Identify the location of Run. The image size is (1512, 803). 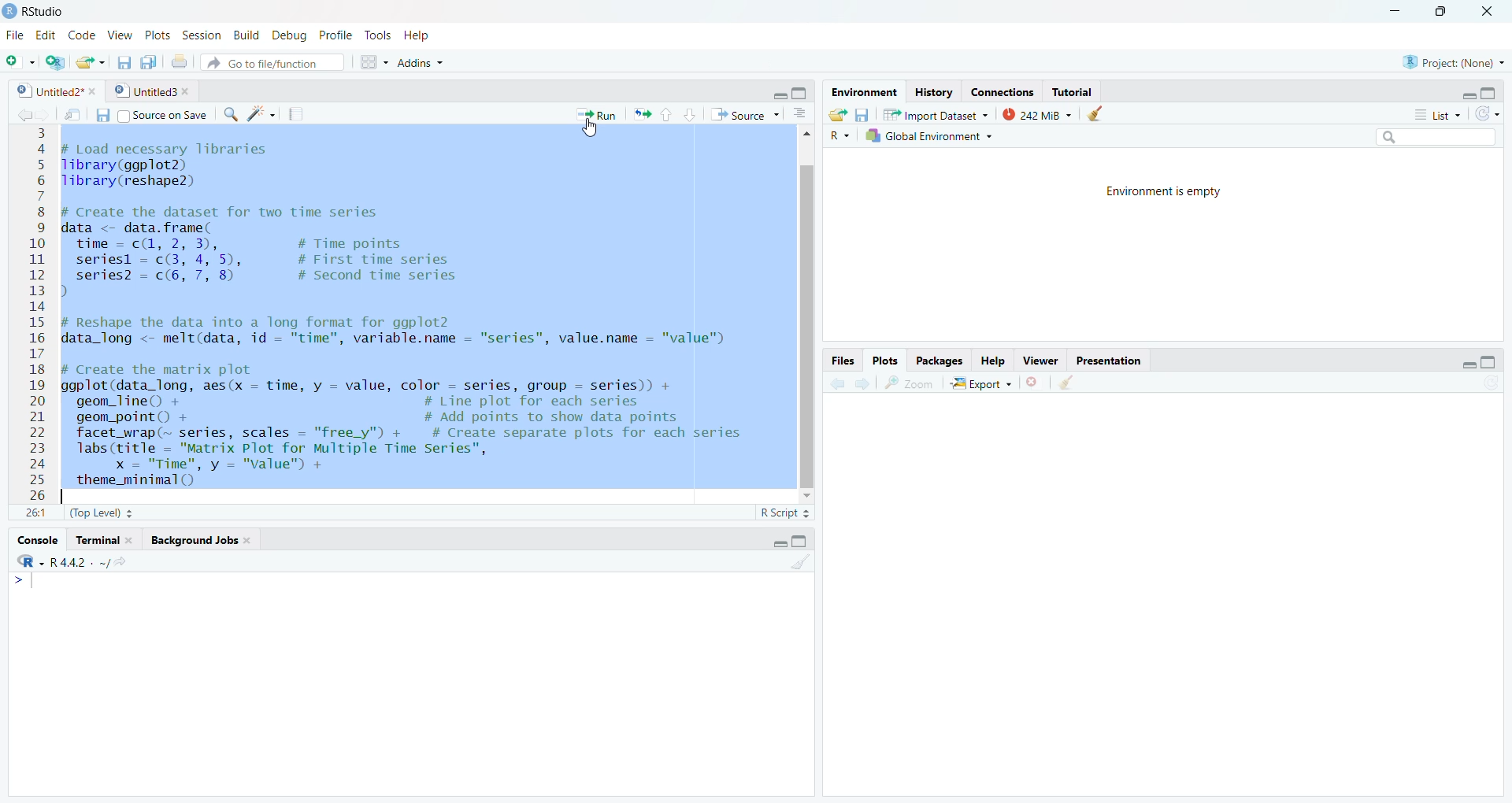
(598, 114).